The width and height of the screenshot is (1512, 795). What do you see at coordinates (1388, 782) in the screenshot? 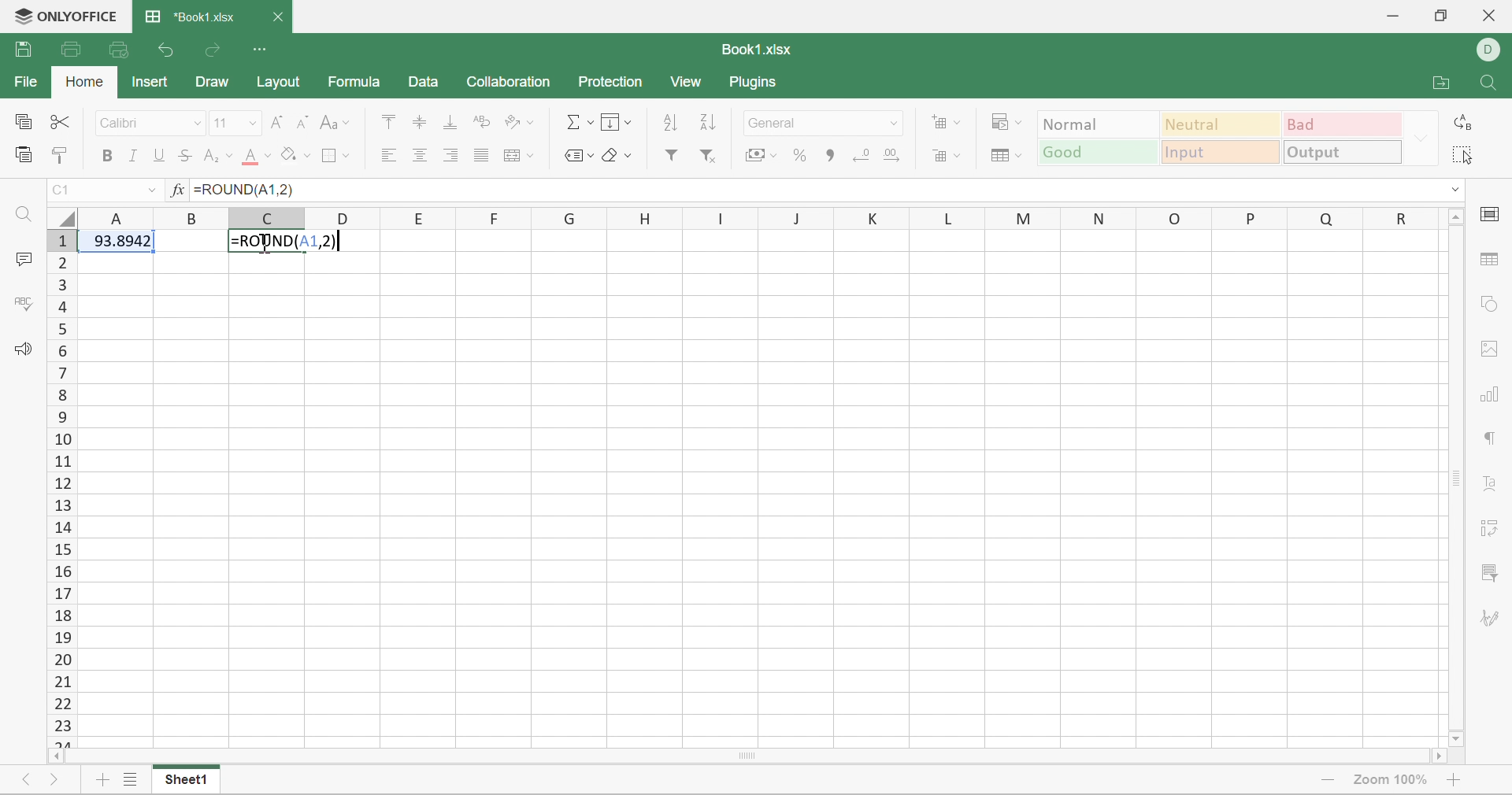
I see `Zoom 100%` at bounding box center [1388, 782].